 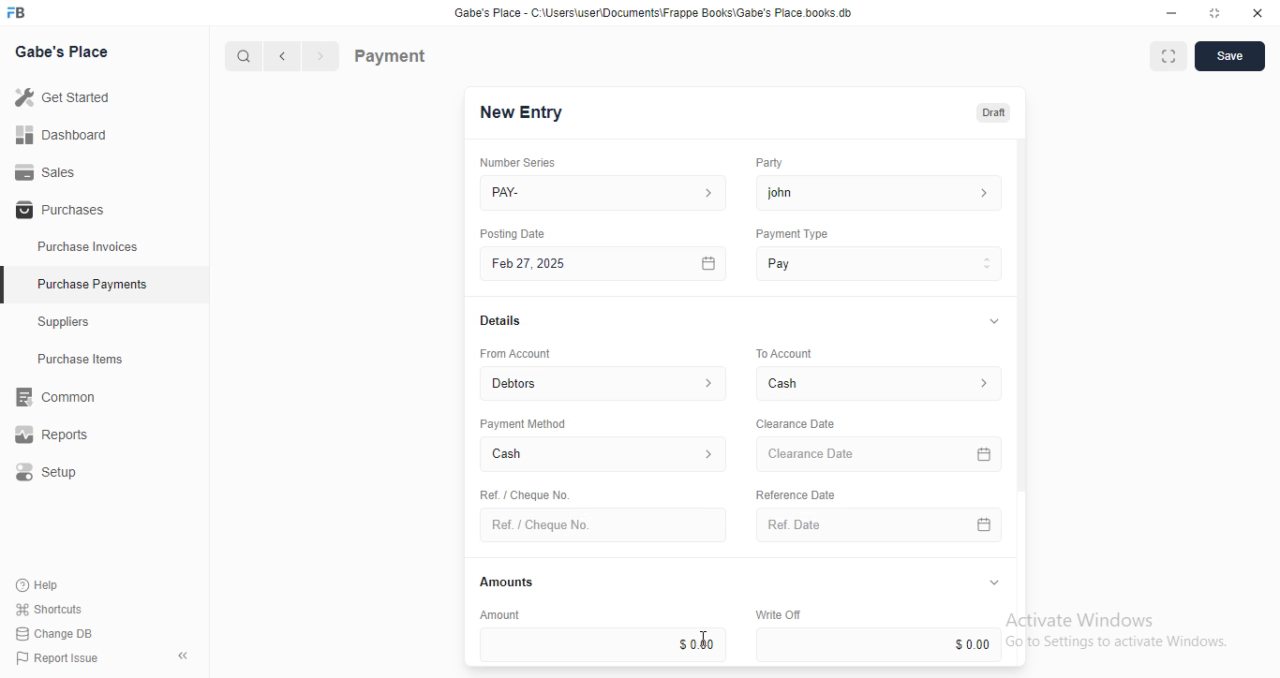 What do you see at coordinates (91, 284) in the screenshot?
I see `Purchase Payments` at bounding box center [91, 284].